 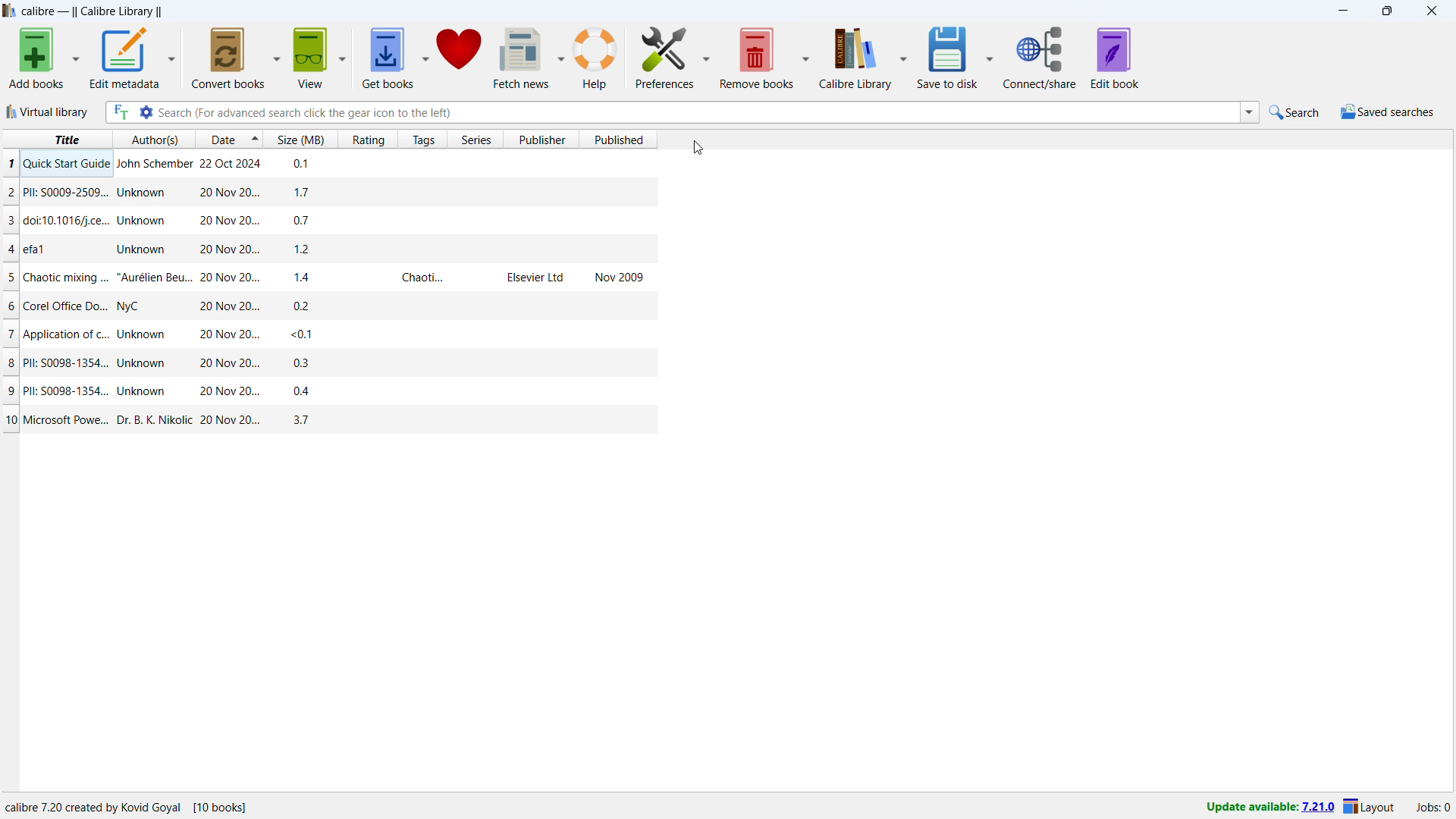 What do you see at coordinates (856, 56) in the screenshot?
I see `calibre library ` at bounding box center [856, 56].